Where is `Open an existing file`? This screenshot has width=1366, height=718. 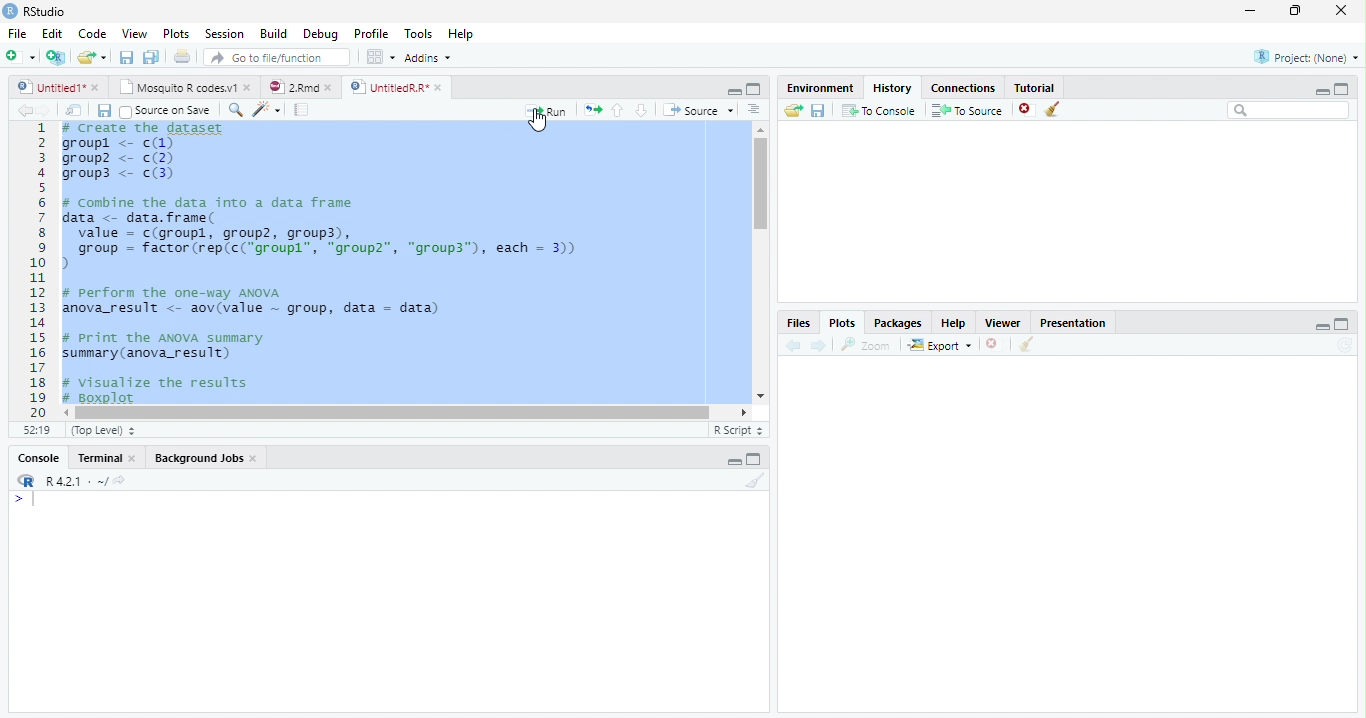
Open an existing file is located at coordinates (92, 57).